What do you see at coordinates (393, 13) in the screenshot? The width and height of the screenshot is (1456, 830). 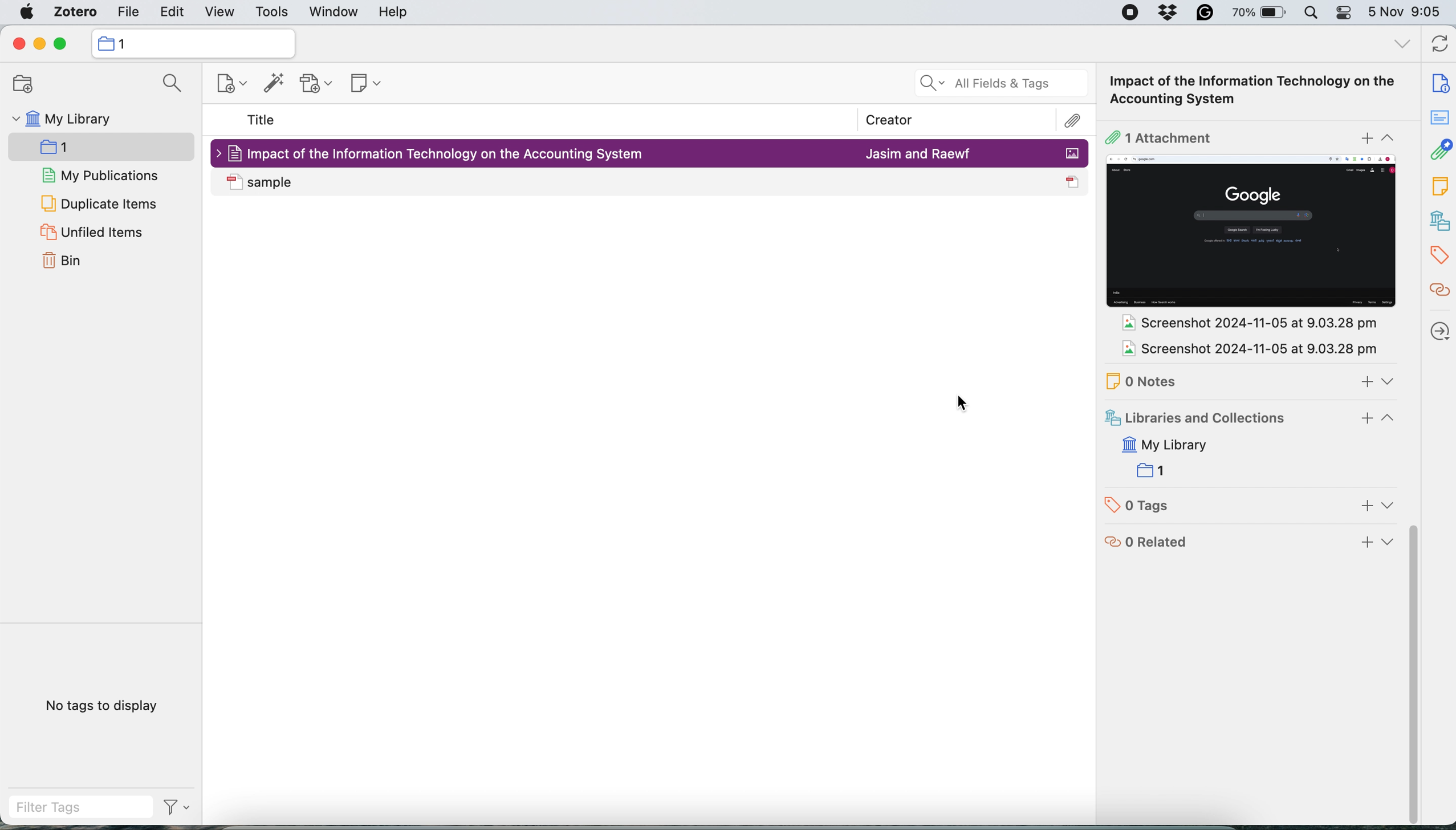 I see `help` at bounding box center [393, 13].